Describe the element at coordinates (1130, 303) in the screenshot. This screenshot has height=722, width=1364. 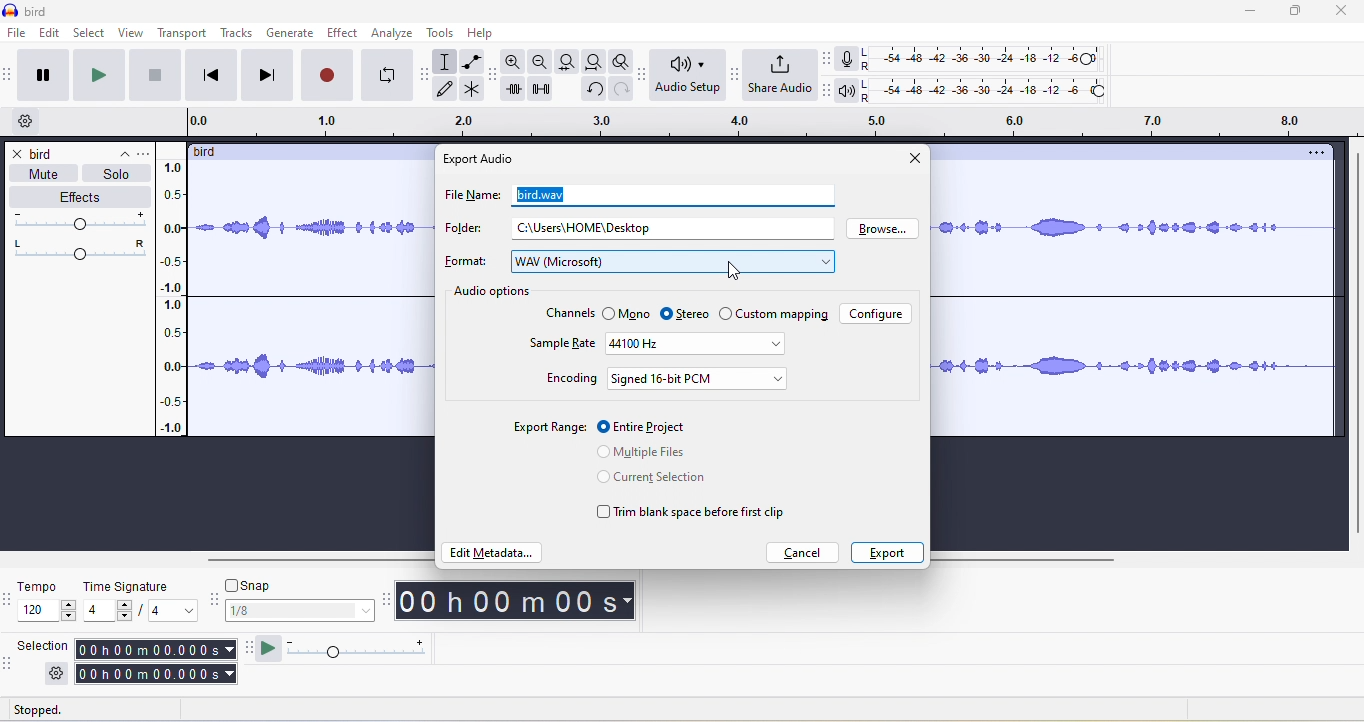
I see `audio track` at that location.